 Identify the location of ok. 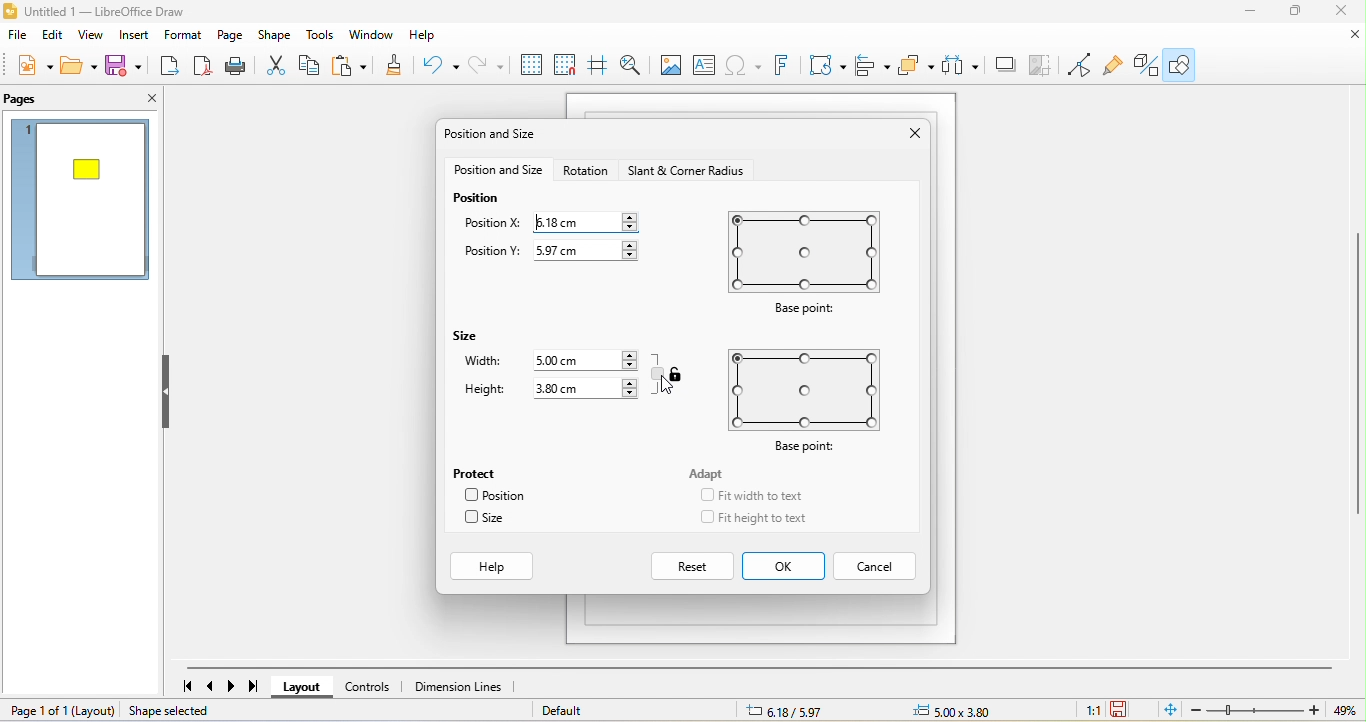
(786, 566).